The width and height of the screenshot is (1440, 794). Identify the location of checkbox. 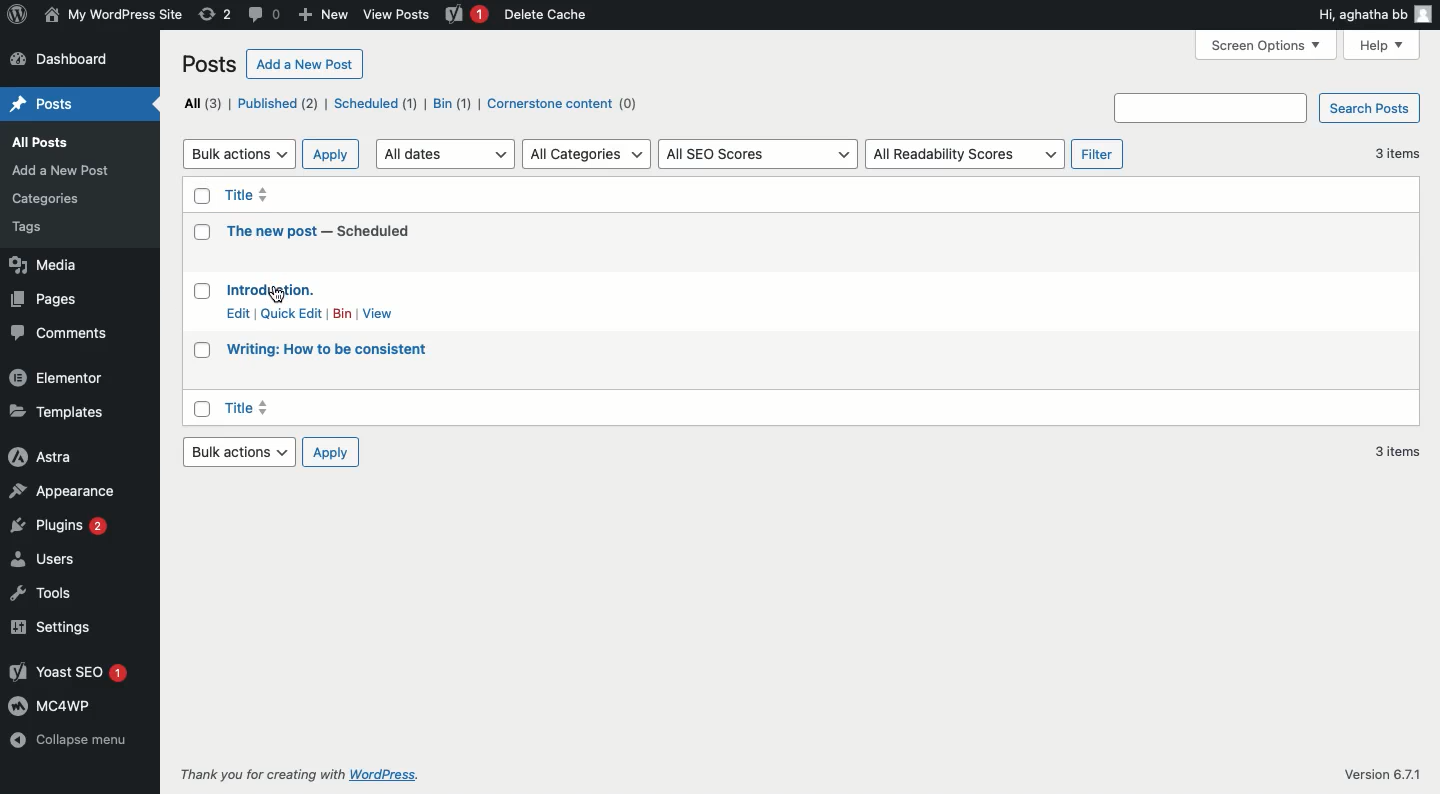
(203, 352).